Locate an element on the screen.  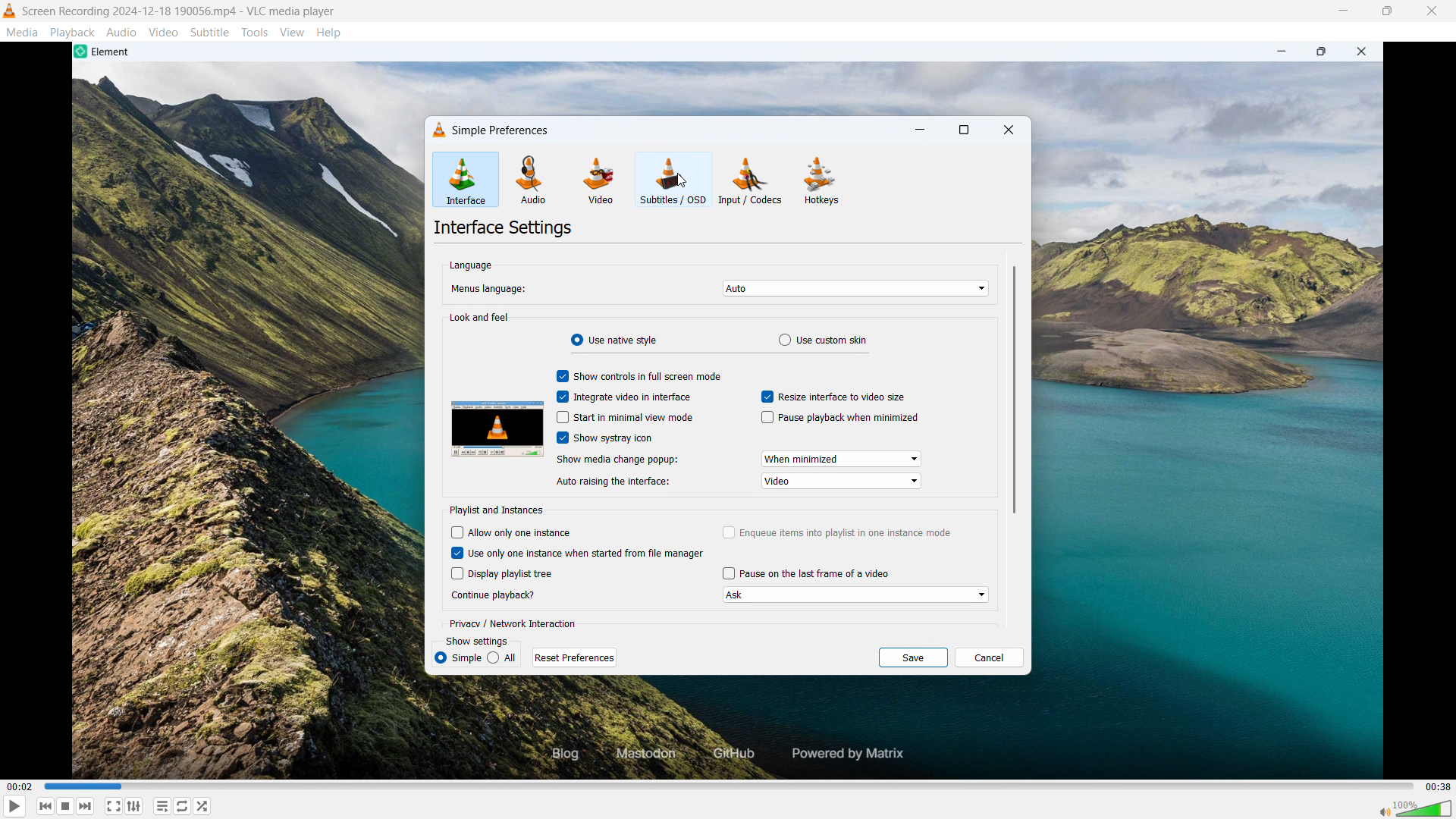
save is located at coordinates (912, 657).